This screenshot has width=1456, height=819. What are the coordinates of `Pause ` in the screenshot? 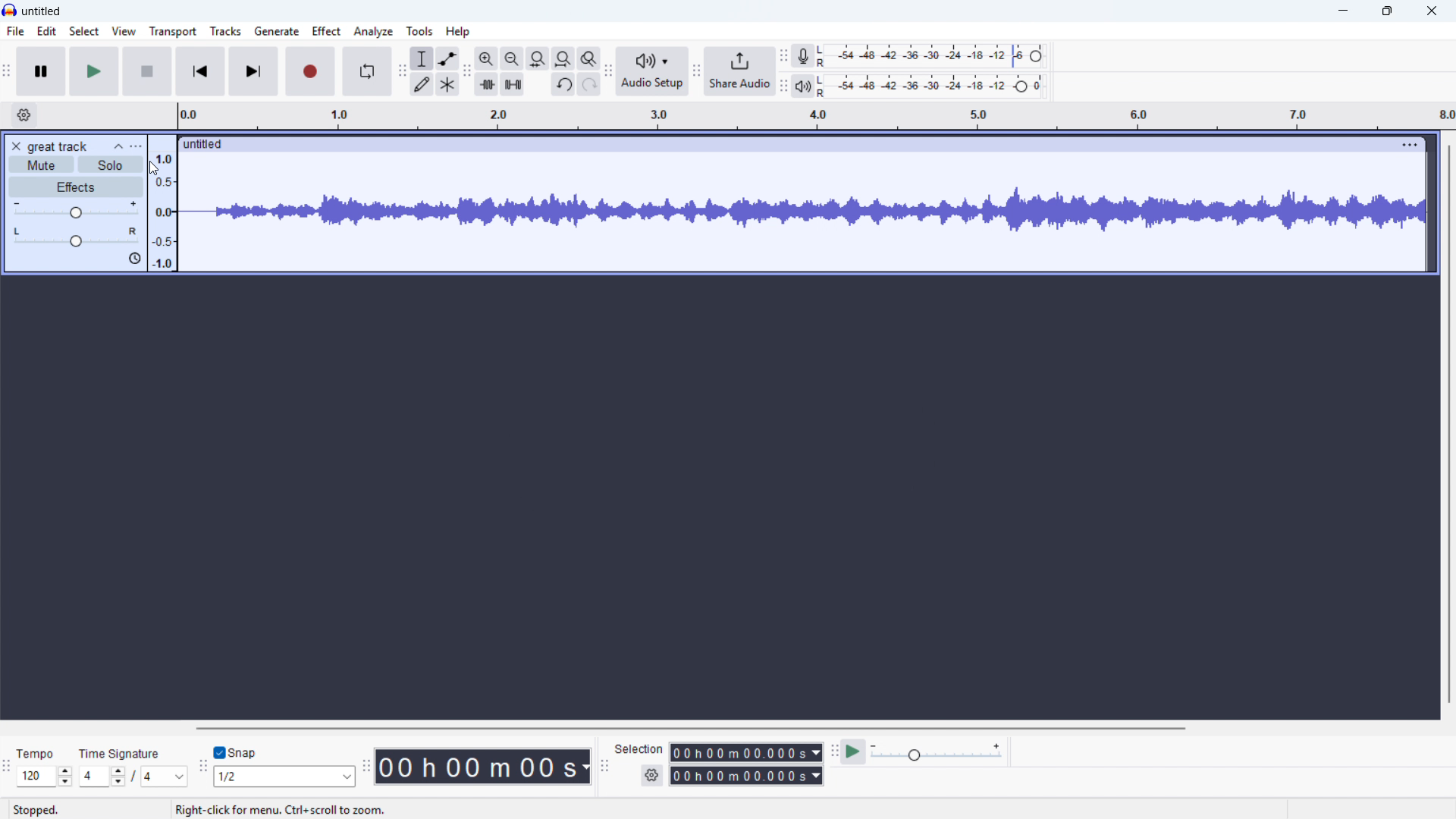 It's located at (42, 72).